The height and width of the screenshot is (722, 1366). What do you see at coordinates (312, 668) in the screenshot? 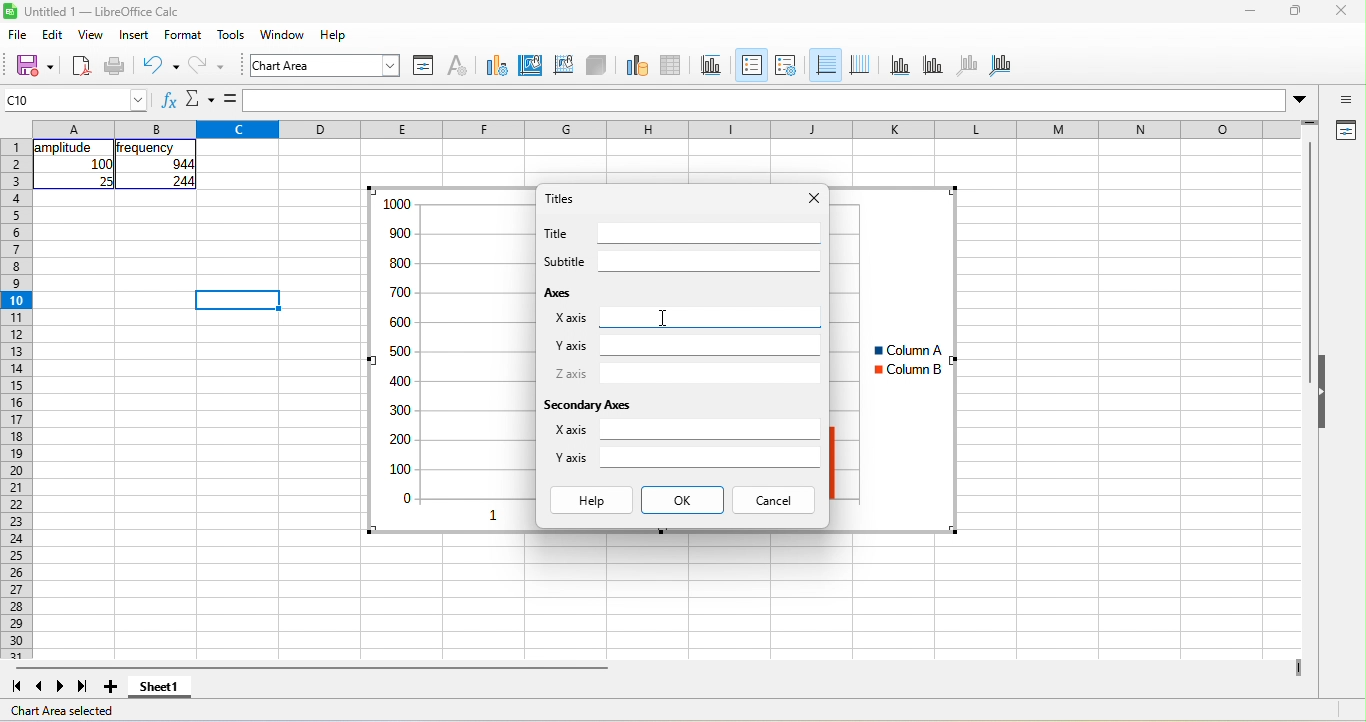
I see `horizontal scroll bar` at bounding box center [312, 668].